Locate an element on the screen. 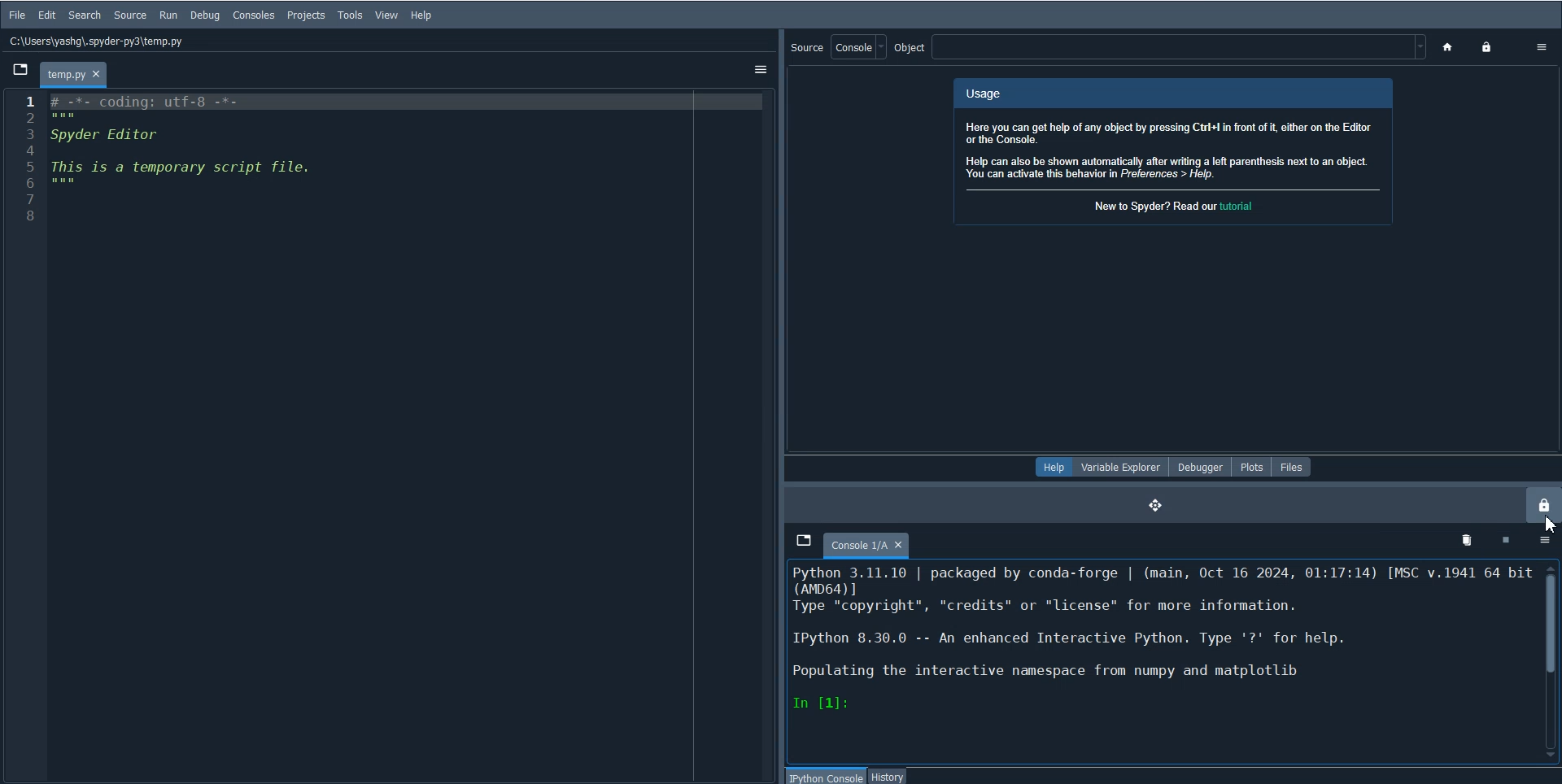 The height and width of the screenshot is (784, 1562). File is located at coordinates (18, 15).